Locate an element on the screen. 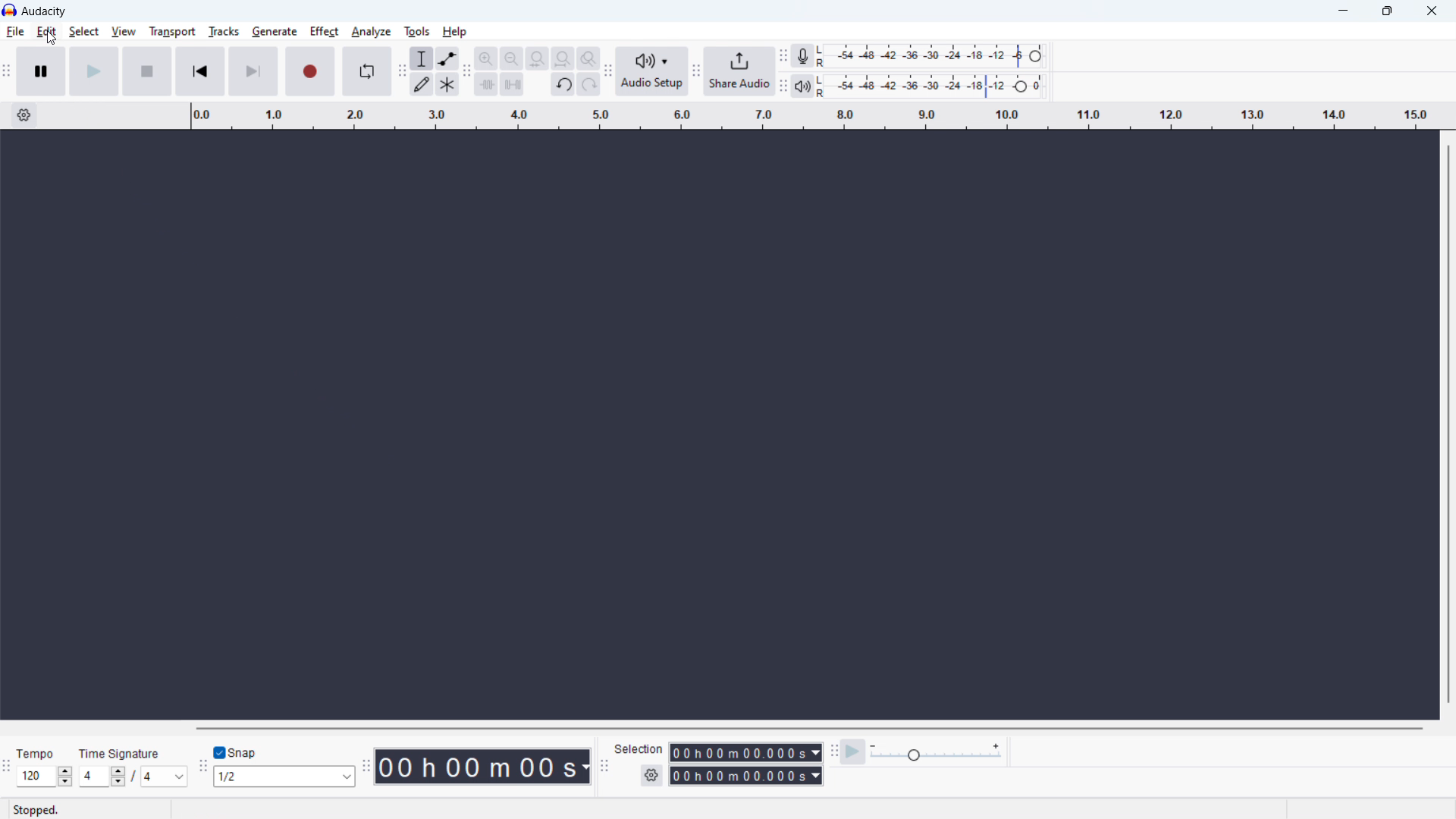  horizontal scrollbar is located at coordinates (808, 728).